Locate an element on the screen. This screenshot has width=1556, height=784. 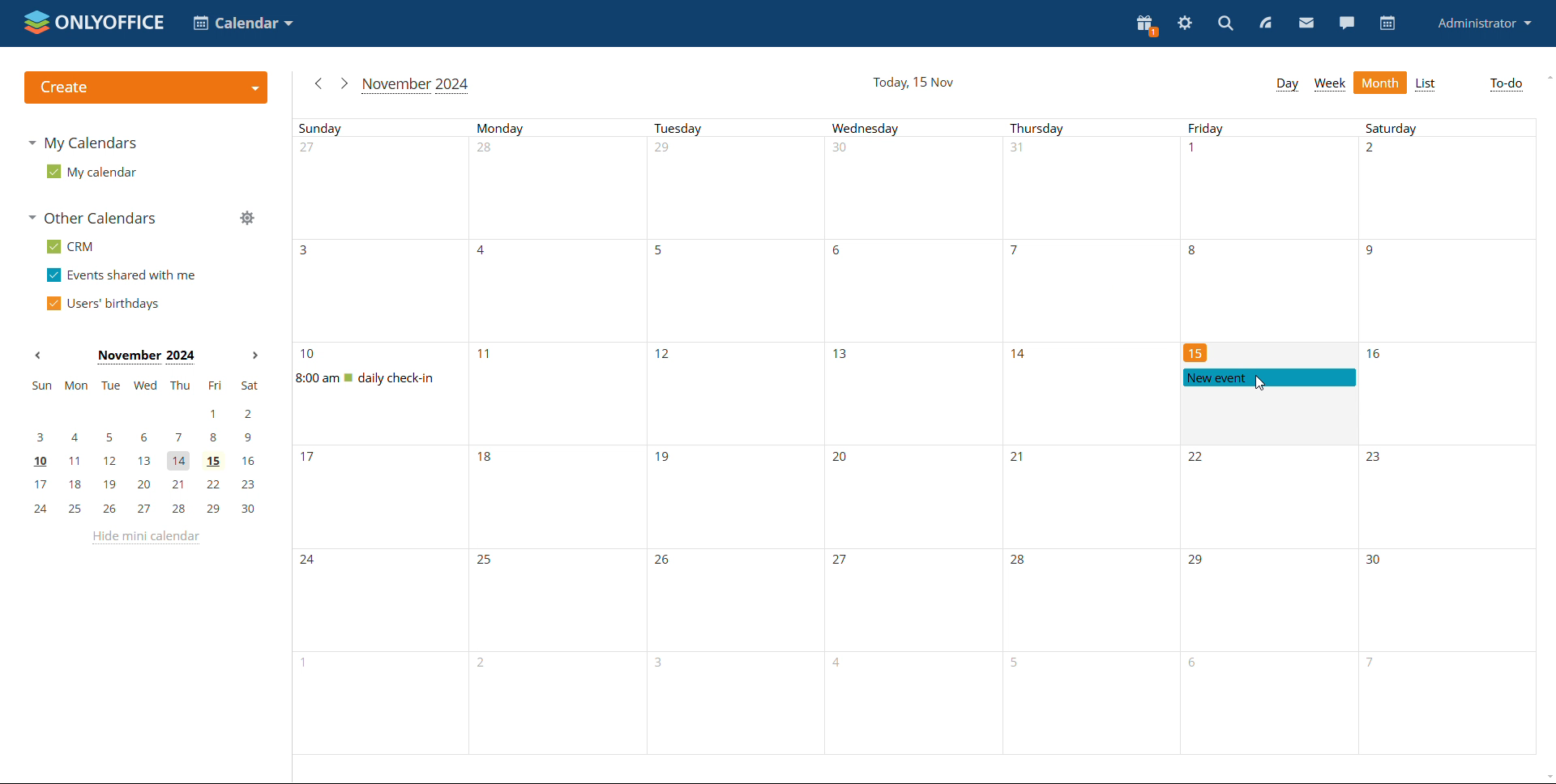
individual day is located at coordinates (1446, 129).